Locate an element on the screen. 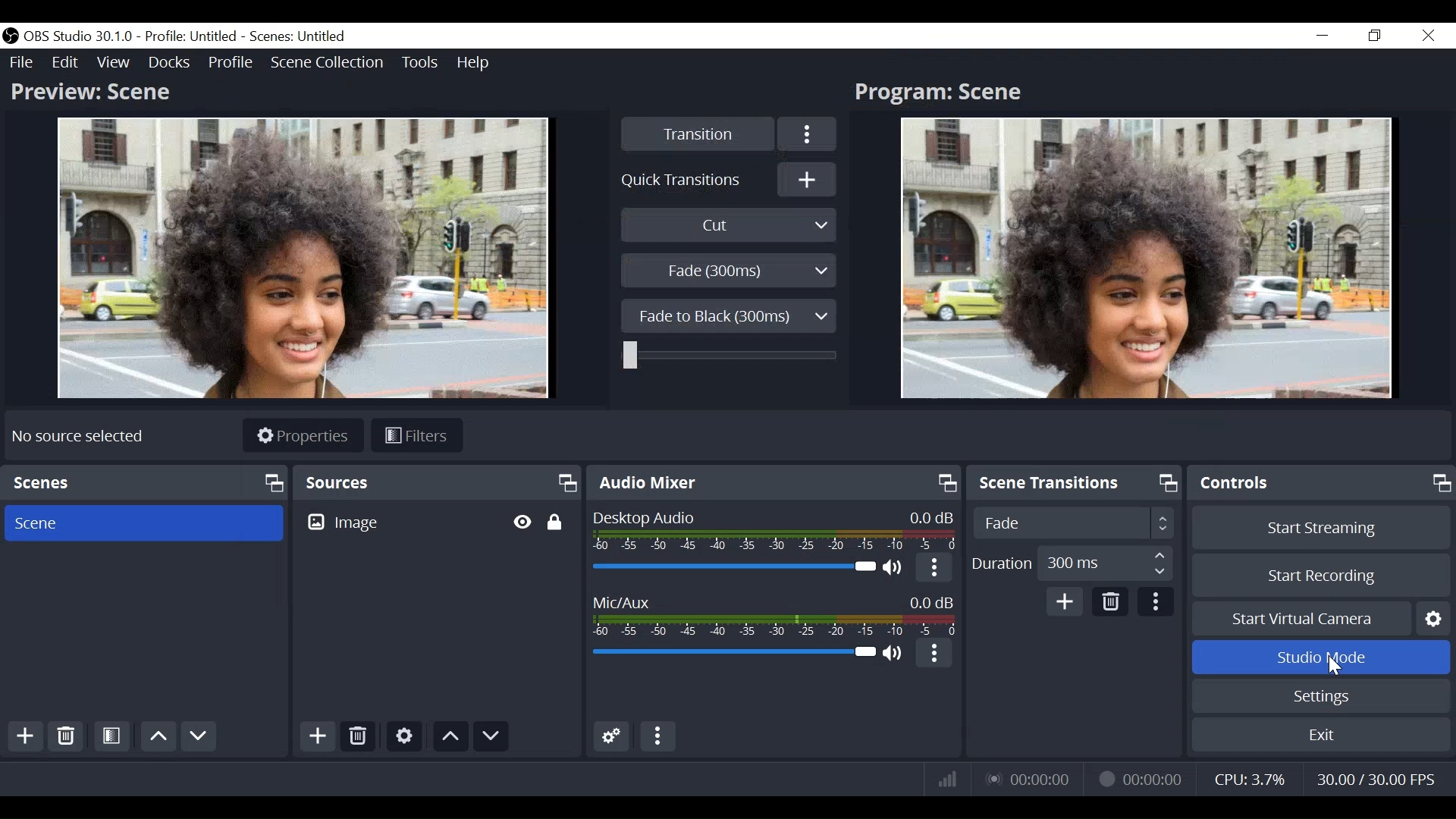 Image resolution: width=1456 pixels, height=819 pixels. Cut is located at coordinates (726, 226).